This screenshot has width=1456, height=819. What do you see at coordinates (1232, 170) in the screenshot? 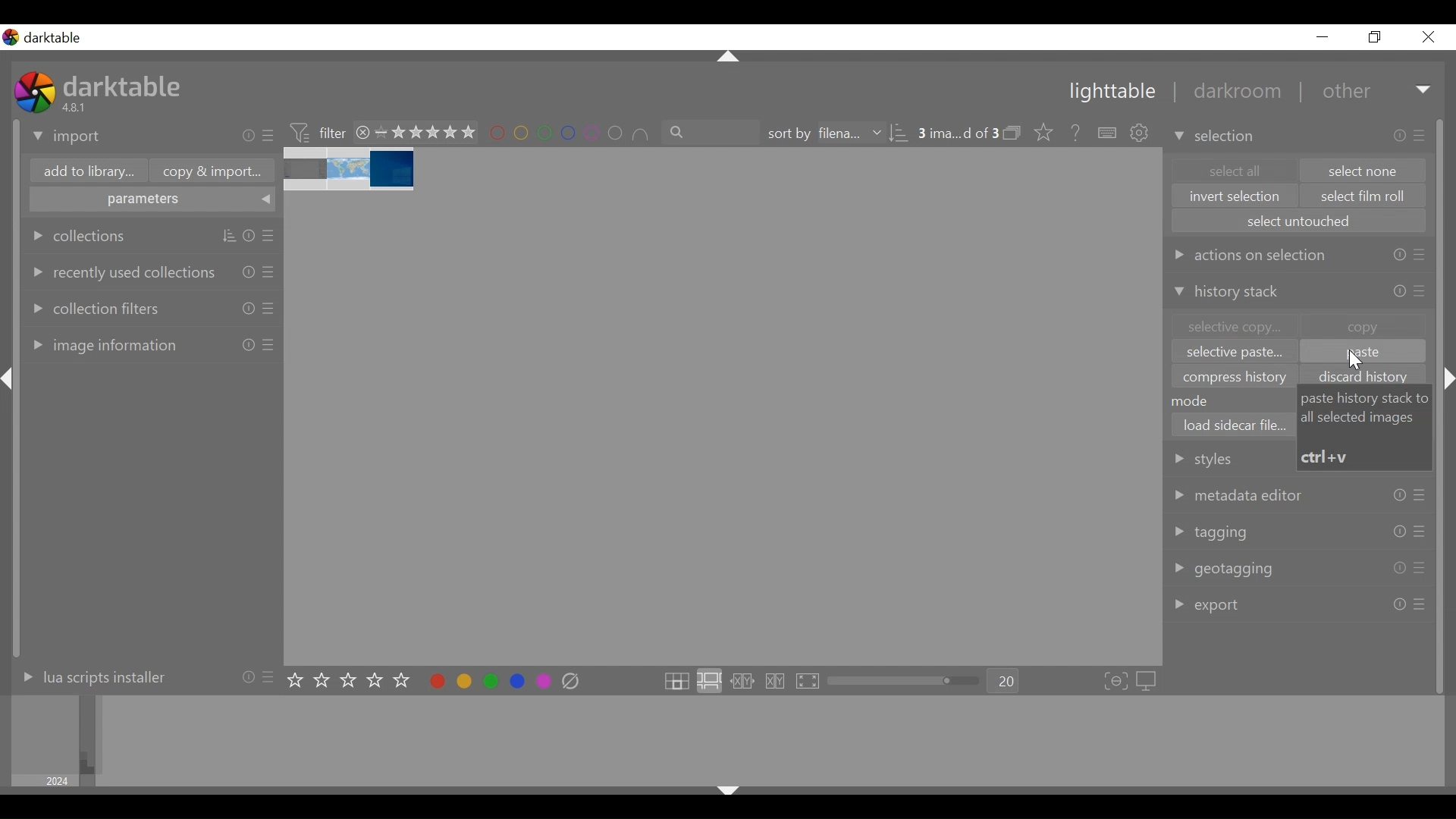
I see `select all` at bounding box center [1232, 170].